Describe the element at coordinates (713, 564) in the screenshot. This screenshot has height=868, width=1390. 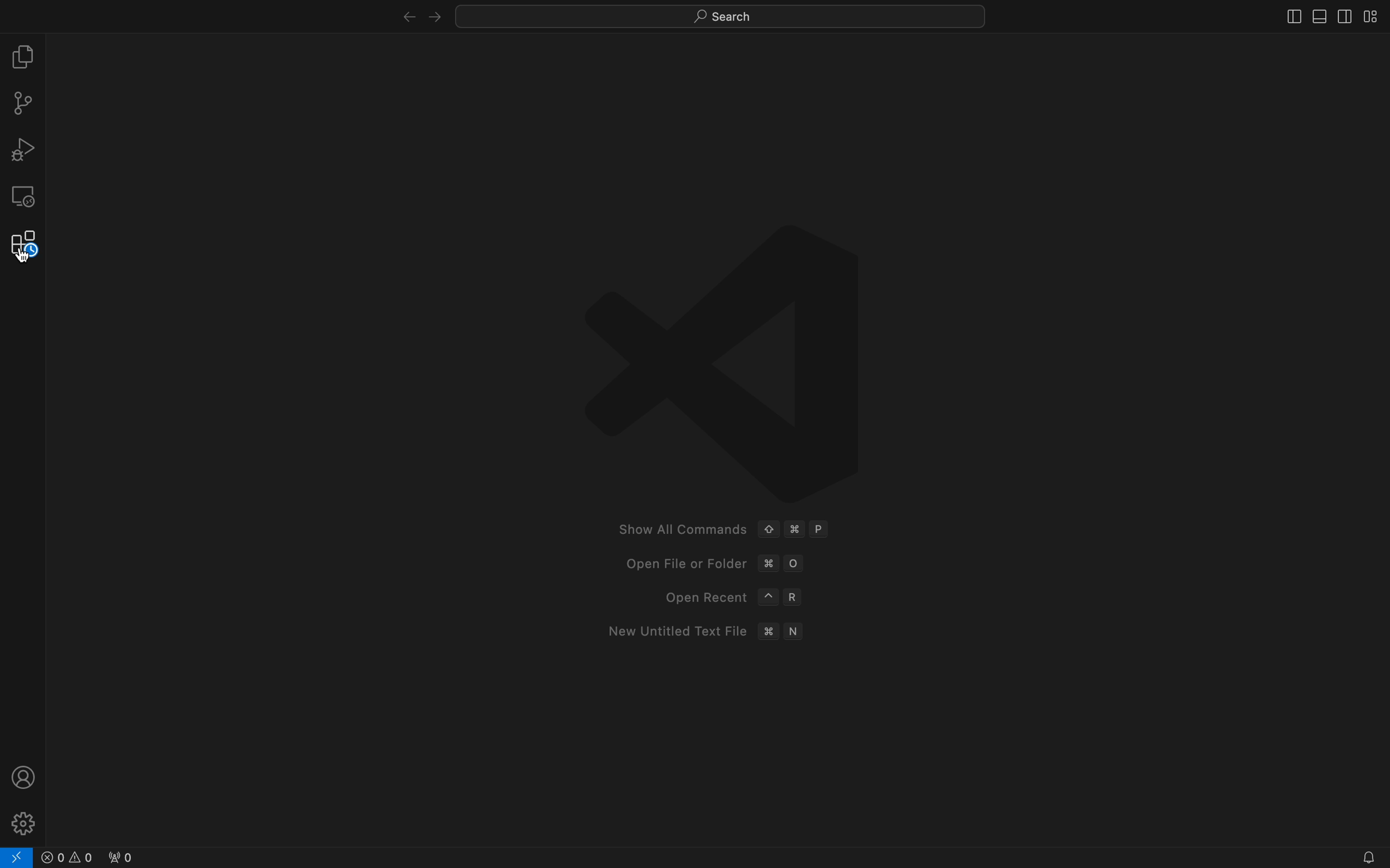
I see `open file or folder` at that location.